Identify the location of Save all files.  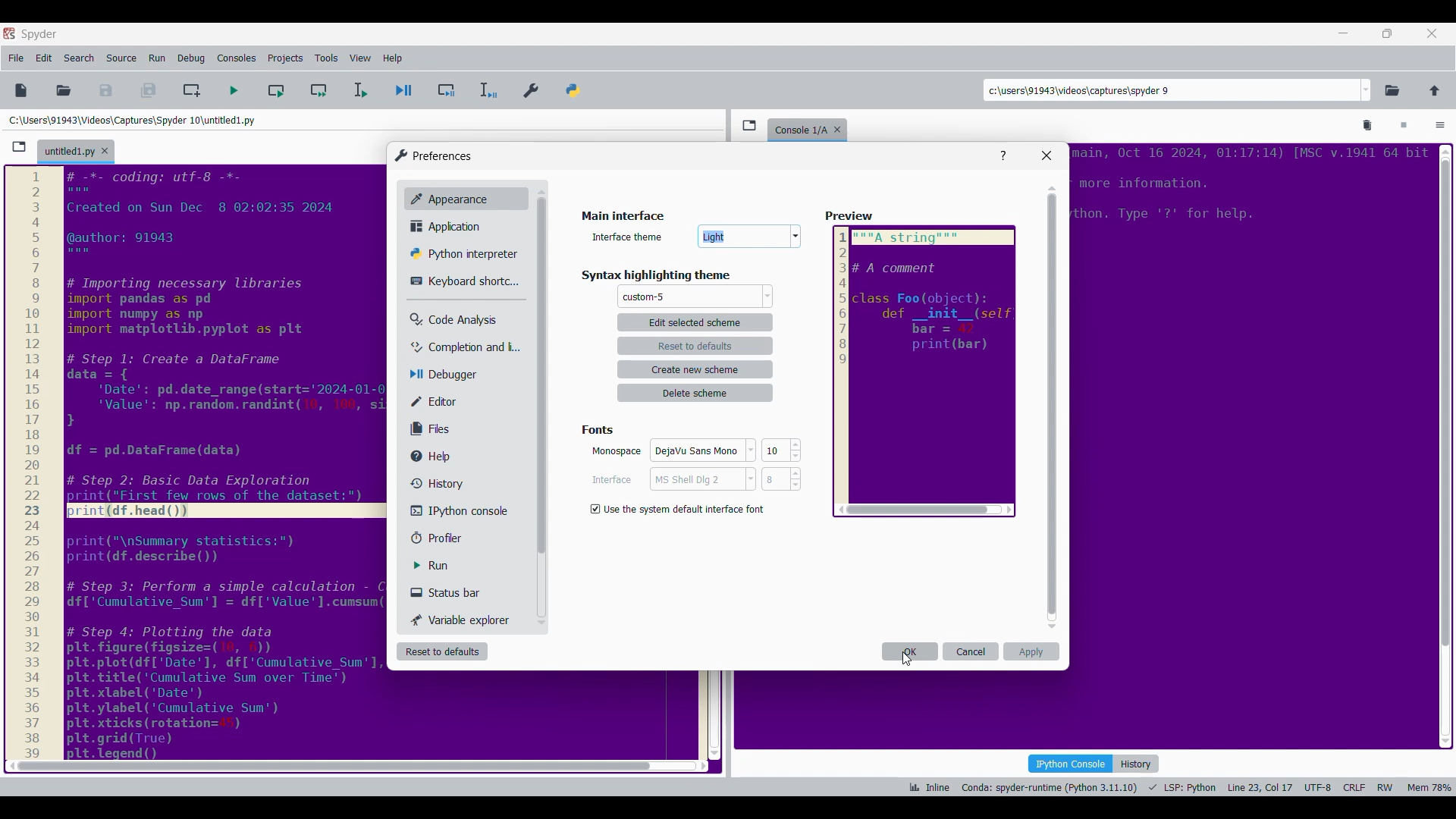
(148, 90).